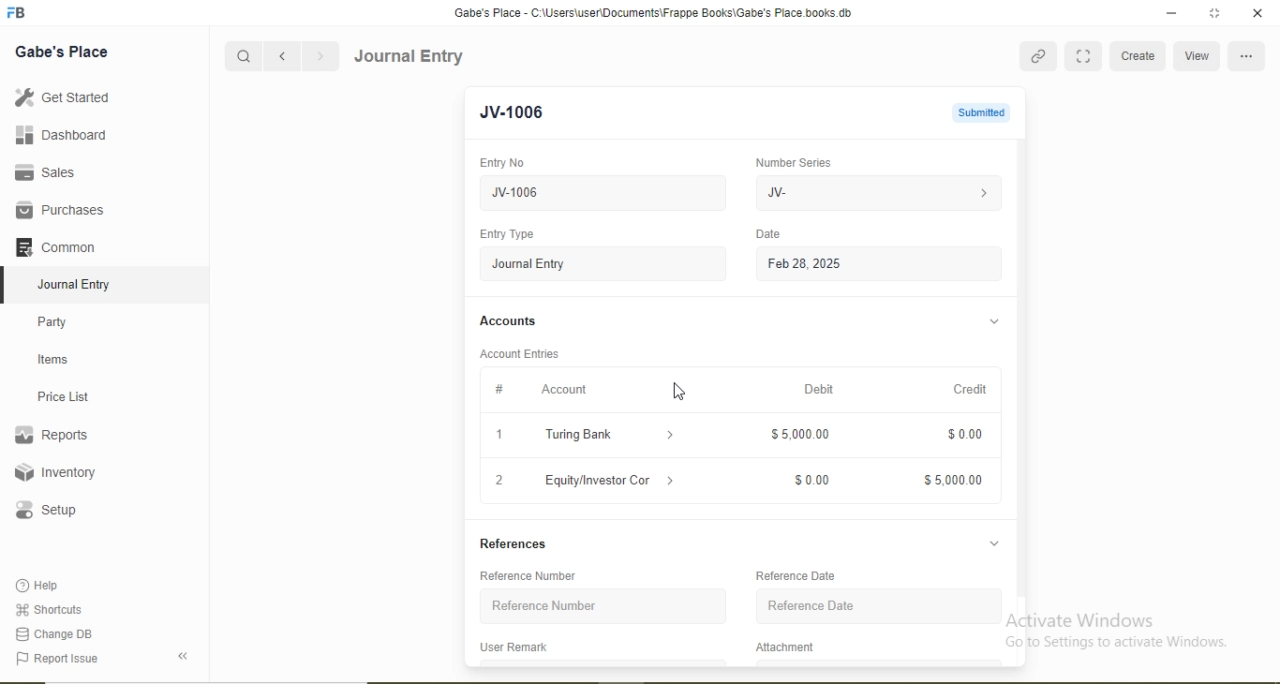 The image size is (1280, 684). Describe the element at coordinates (600, 480) in the screenshot. I see `Equity/Investor Con` at that location.